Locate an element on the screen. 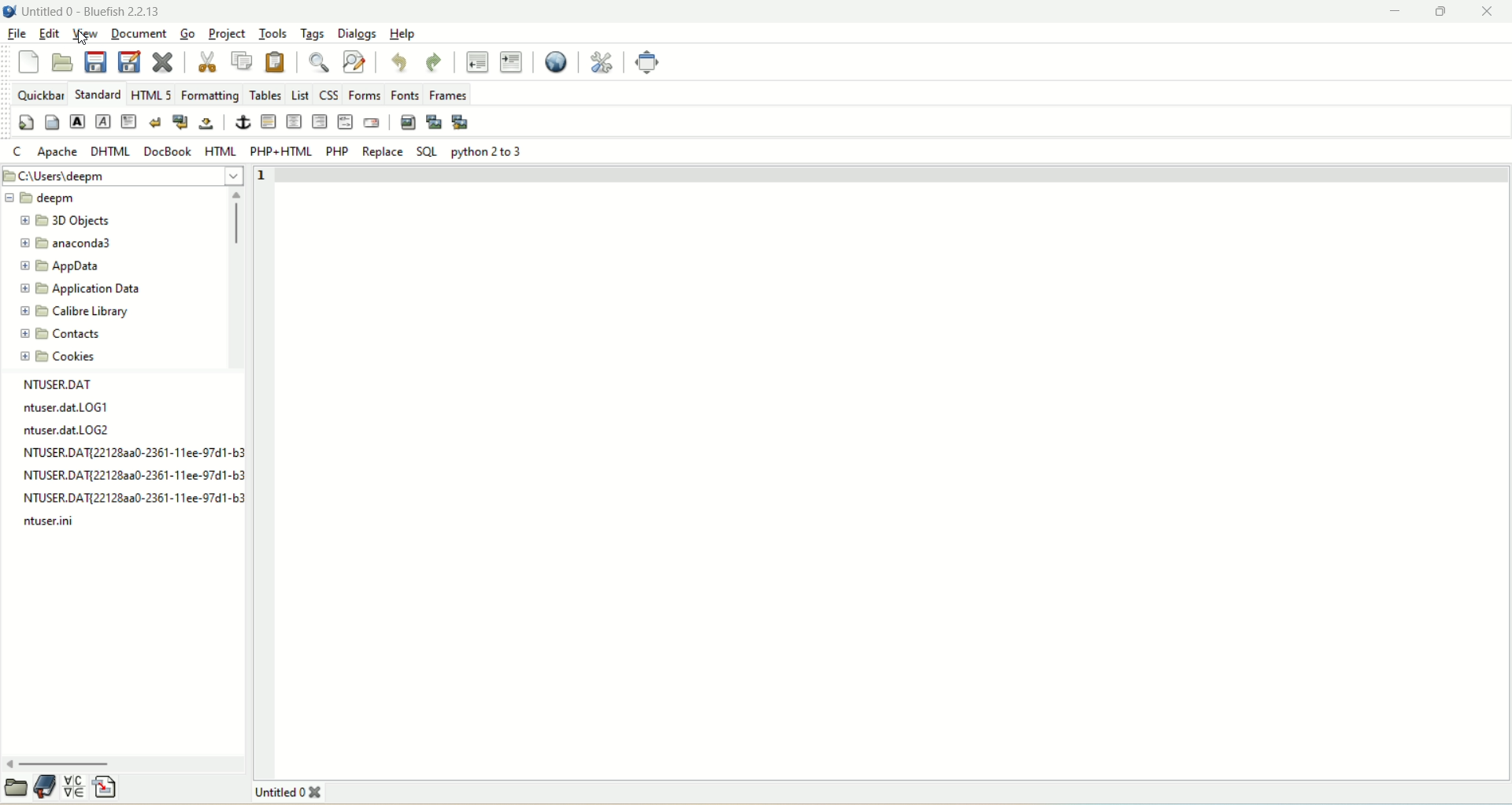  3D objects is located at coordinates (66, 222).